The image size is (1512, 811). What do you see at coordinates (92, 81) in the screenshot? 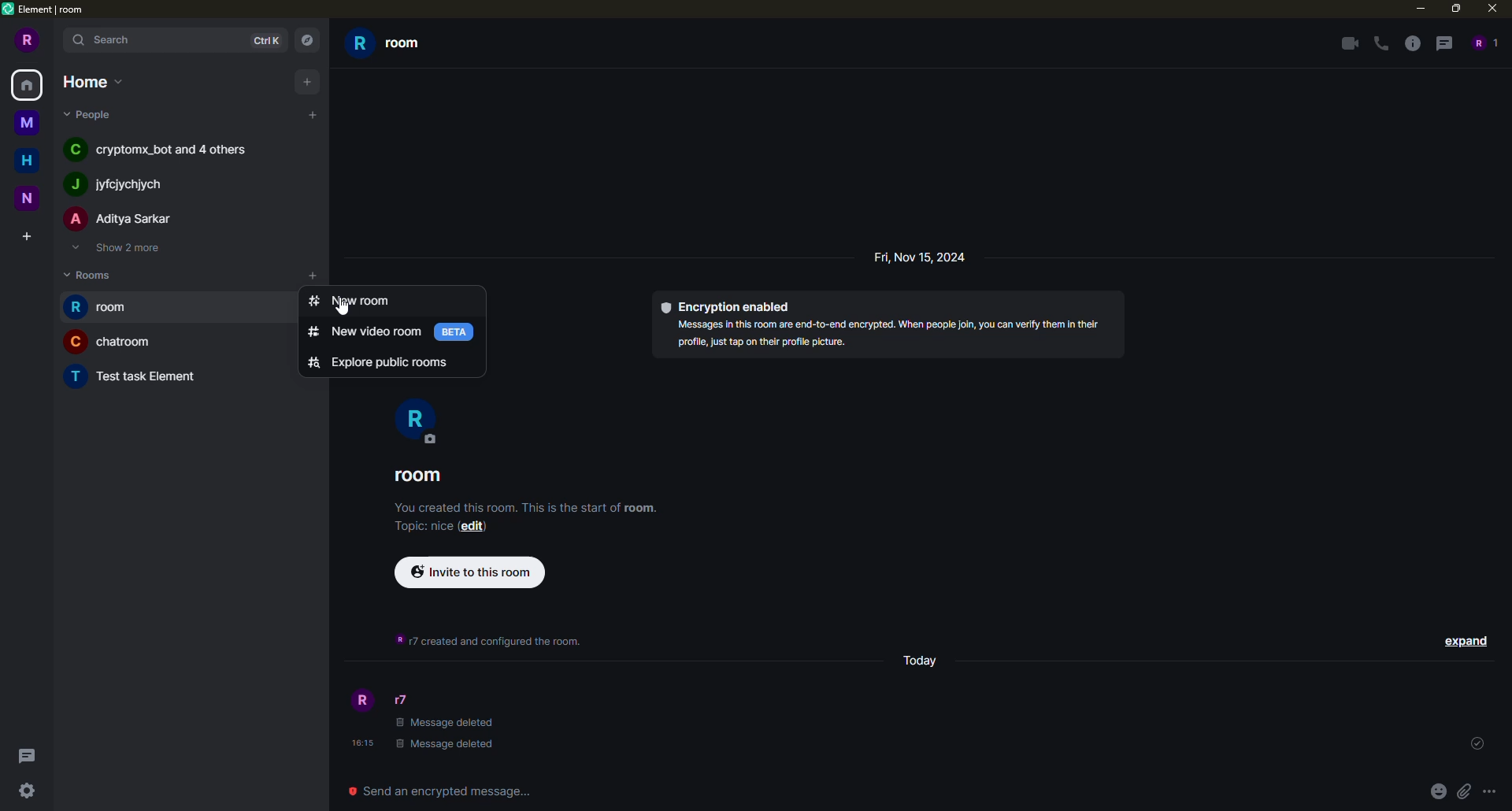
I see `home` at bounding box center [92, 81].